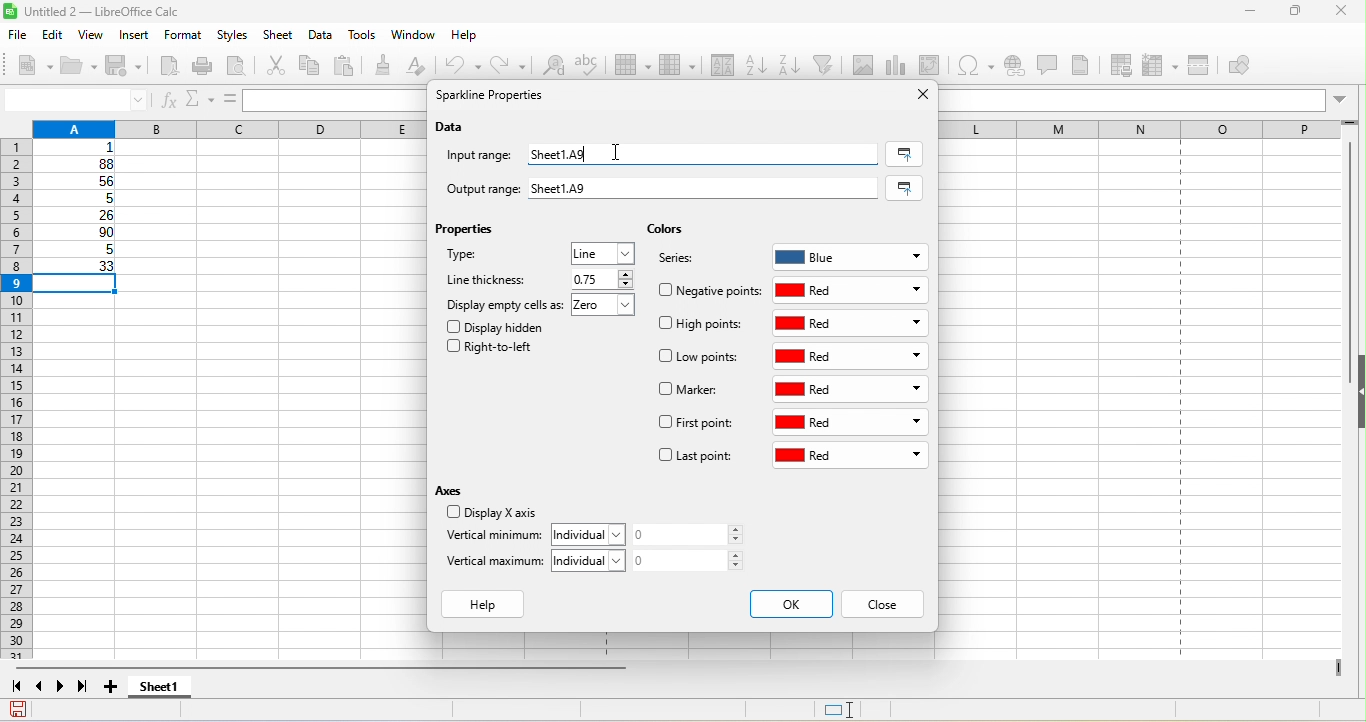 This screenshot has width=1366, height=722. I want to click on 26, so click(79, 216).